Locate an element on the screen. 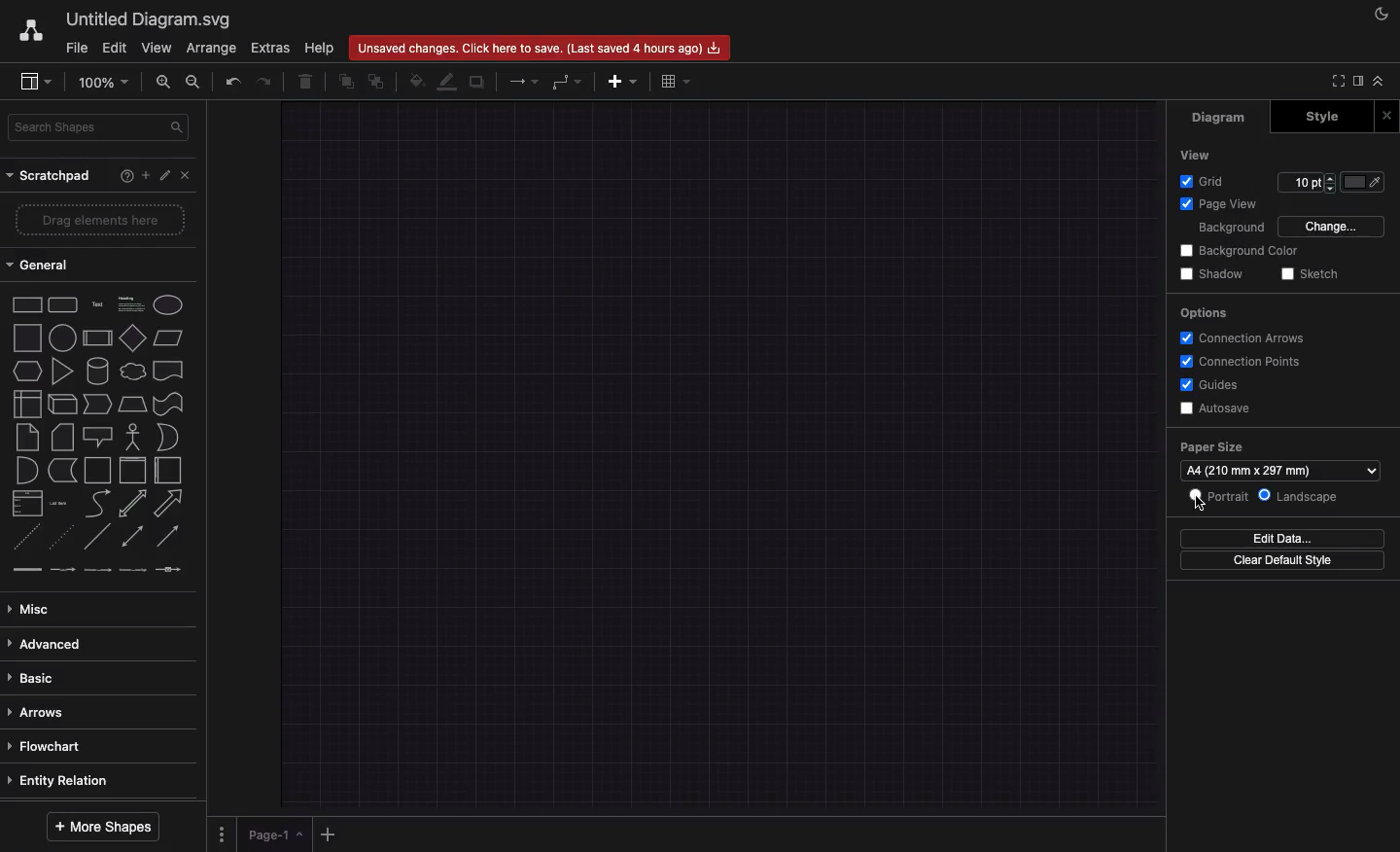  Close is located at coordinates (1390, 120).